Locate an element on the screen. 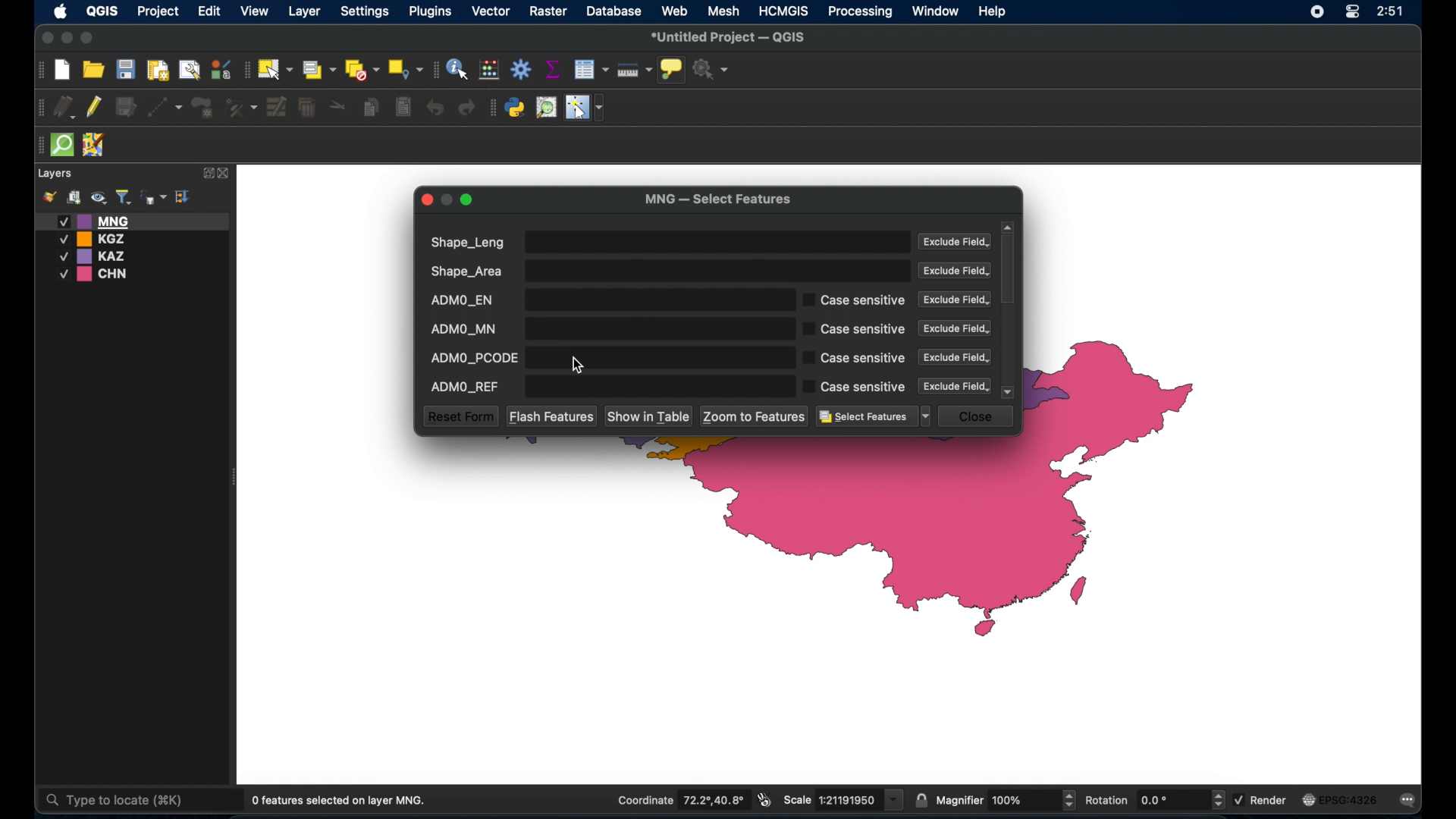 The width and height of the screenshot is (1456, 819). vertex tool is located at coordinates (242, 106).